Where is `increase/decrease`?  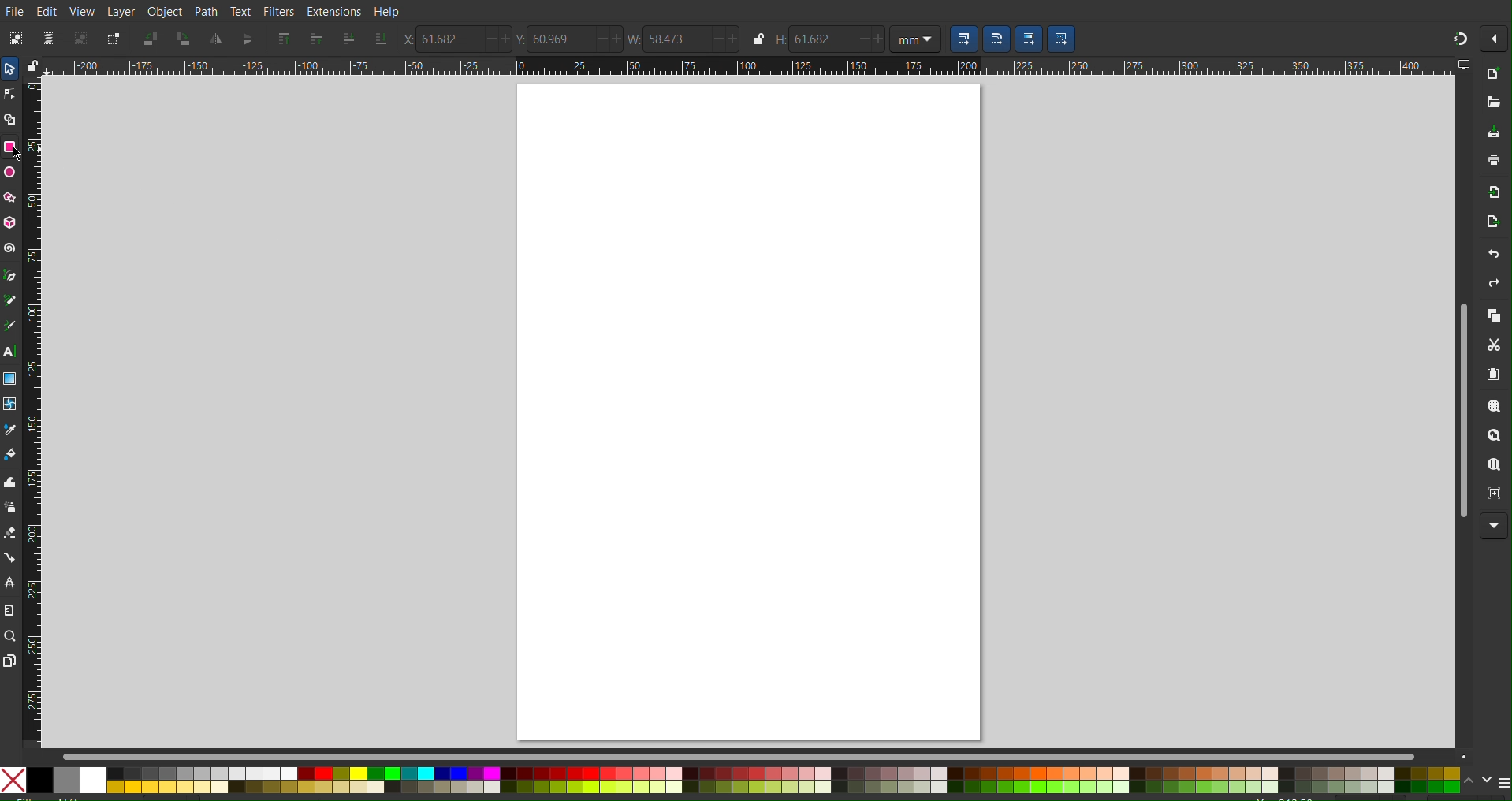 increase/decrease is located at coordinates (497, 39).